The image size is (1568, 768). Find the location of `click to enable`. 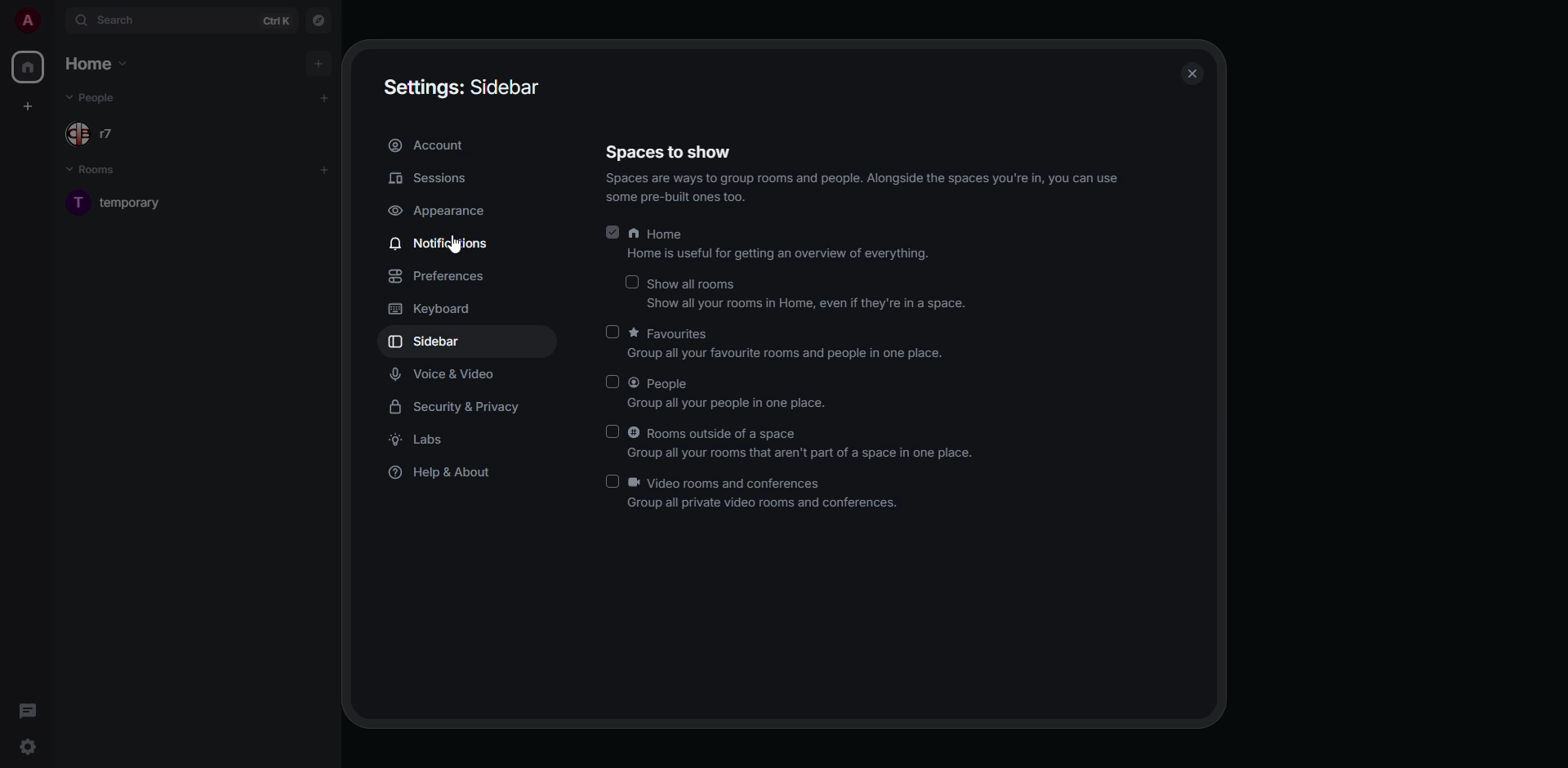

click to enable is located at coordinates (614, 382).